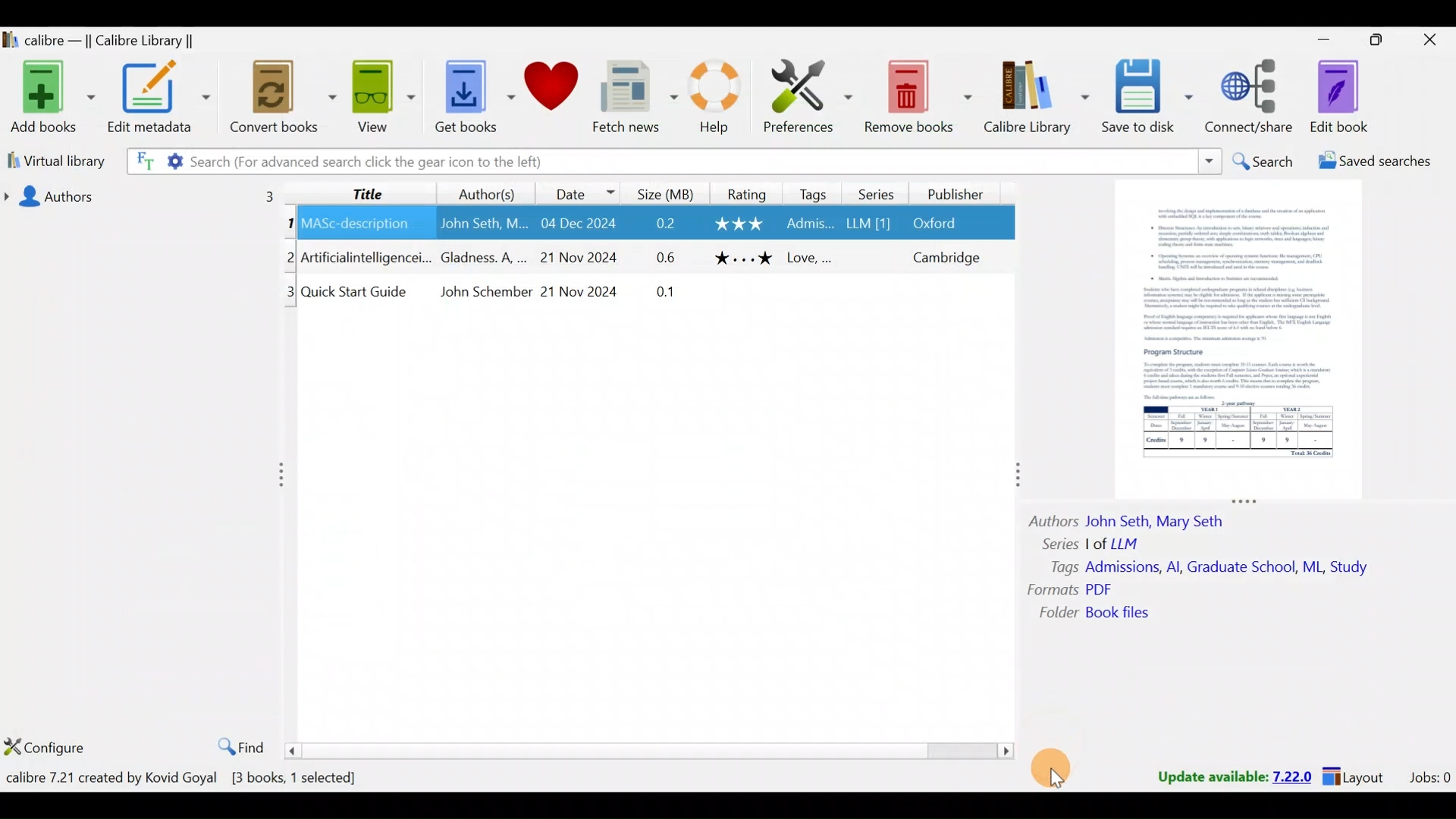 The width and height of the screenshot is (1456, 819). I want to click on , so click(872, 224).